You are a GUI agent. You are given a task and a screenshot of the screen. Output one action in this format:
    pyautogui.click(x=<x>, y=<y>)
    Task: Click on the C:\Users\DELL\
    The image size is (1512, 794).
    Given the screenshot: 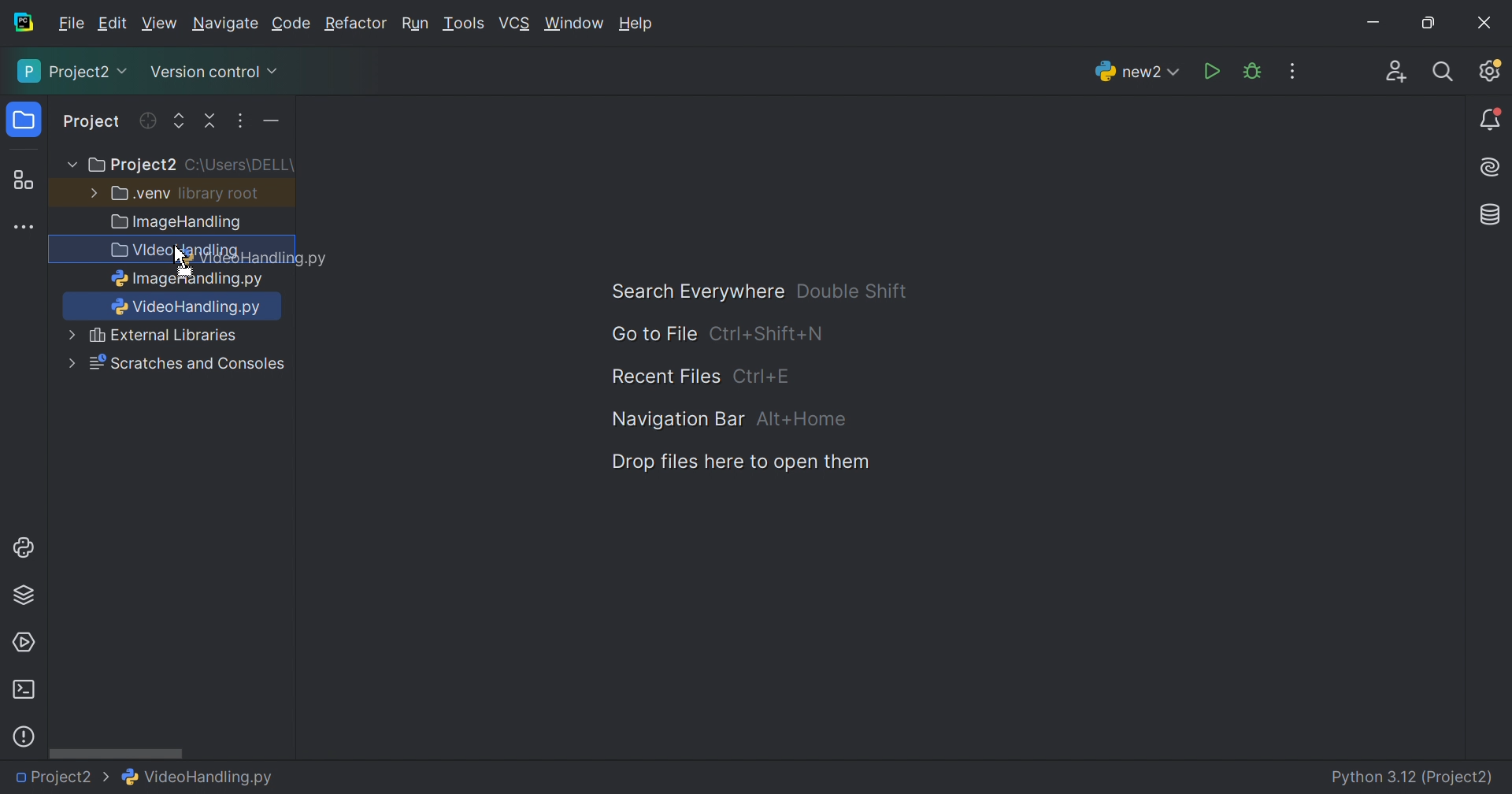 What is the action you would take?
    pyautogui.click(x=239, y=165)
    